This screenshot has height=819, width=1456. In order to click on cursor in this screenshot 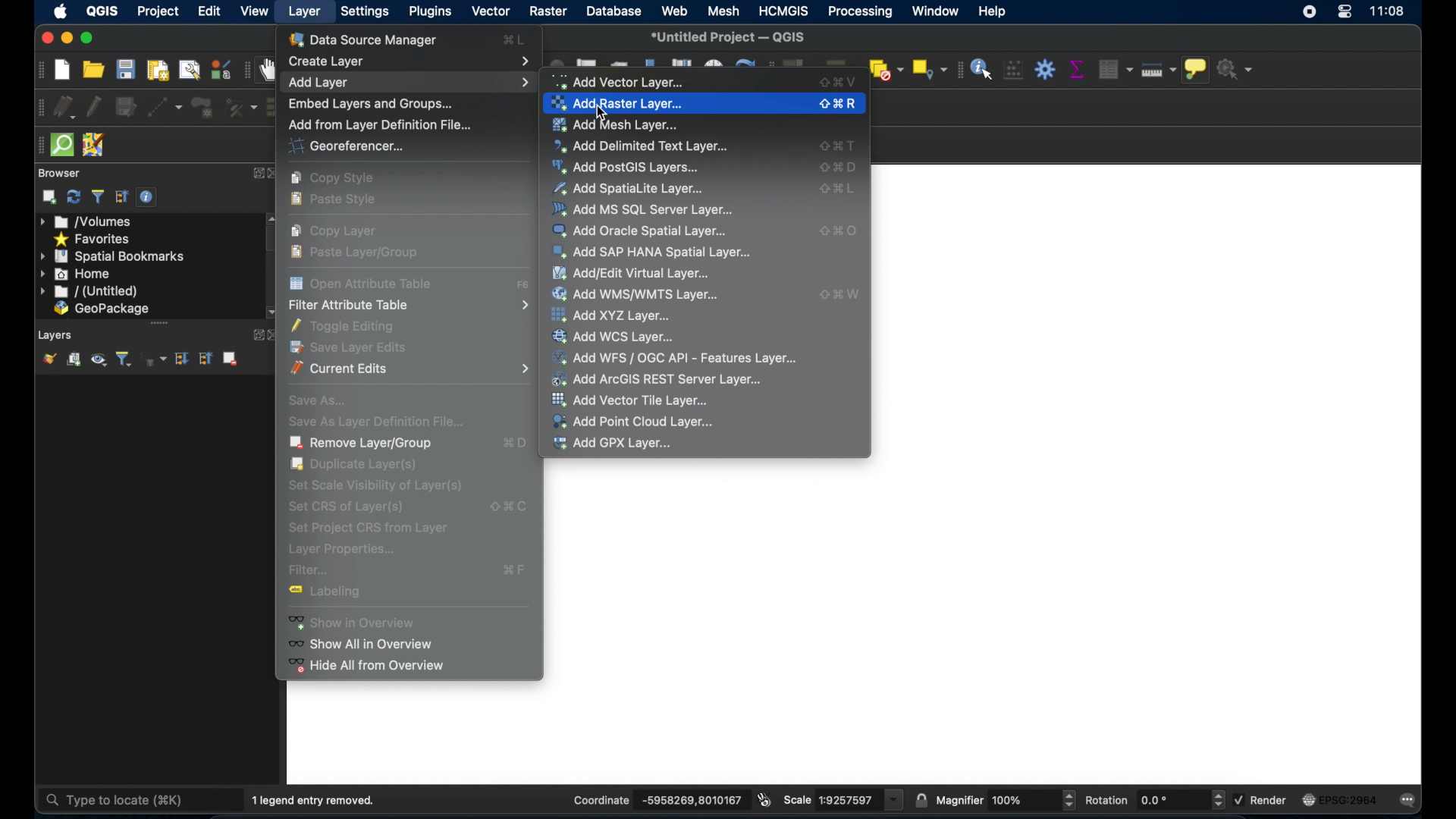, I will do `click(604, 114)`.